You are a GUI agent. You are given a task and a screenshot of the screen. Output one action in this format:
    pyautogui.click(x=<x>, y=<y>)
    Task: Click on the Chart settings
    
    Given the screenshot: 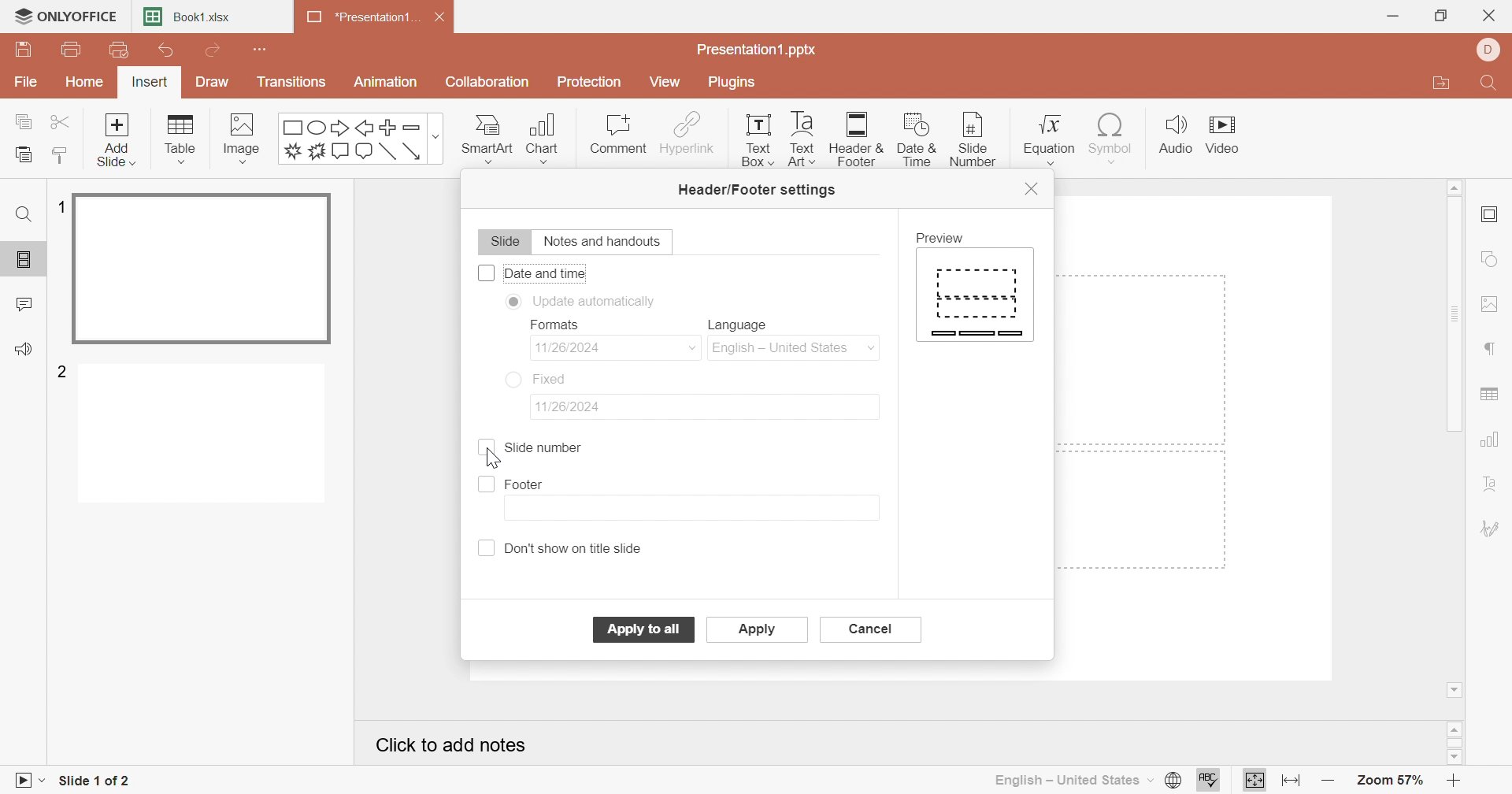 What is the action you would take?
    pyautogui.click(x=1492, y=440)
    